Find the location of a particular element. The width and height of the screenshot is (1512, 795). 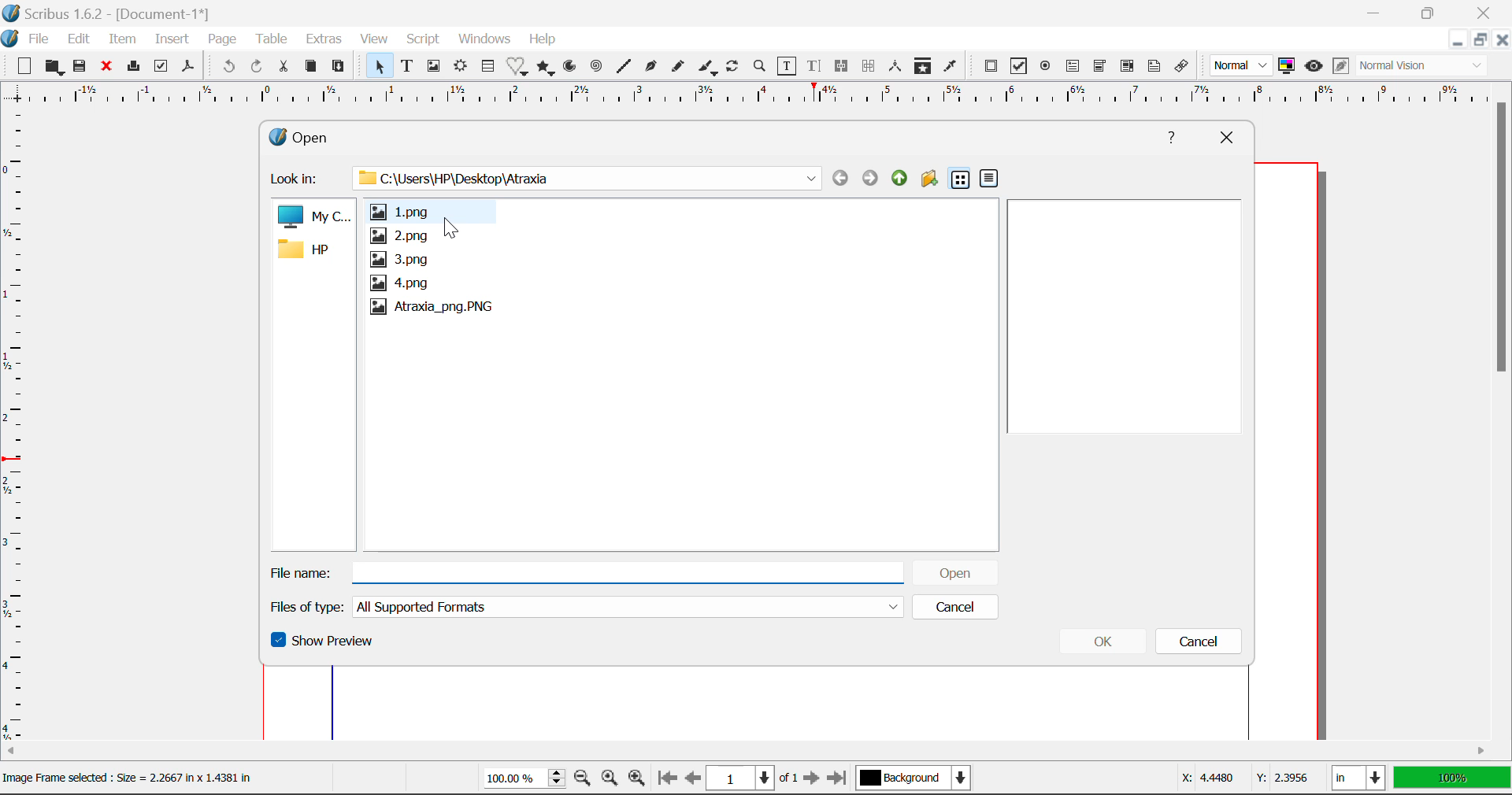

100% is located at coordinates (1451, 779).